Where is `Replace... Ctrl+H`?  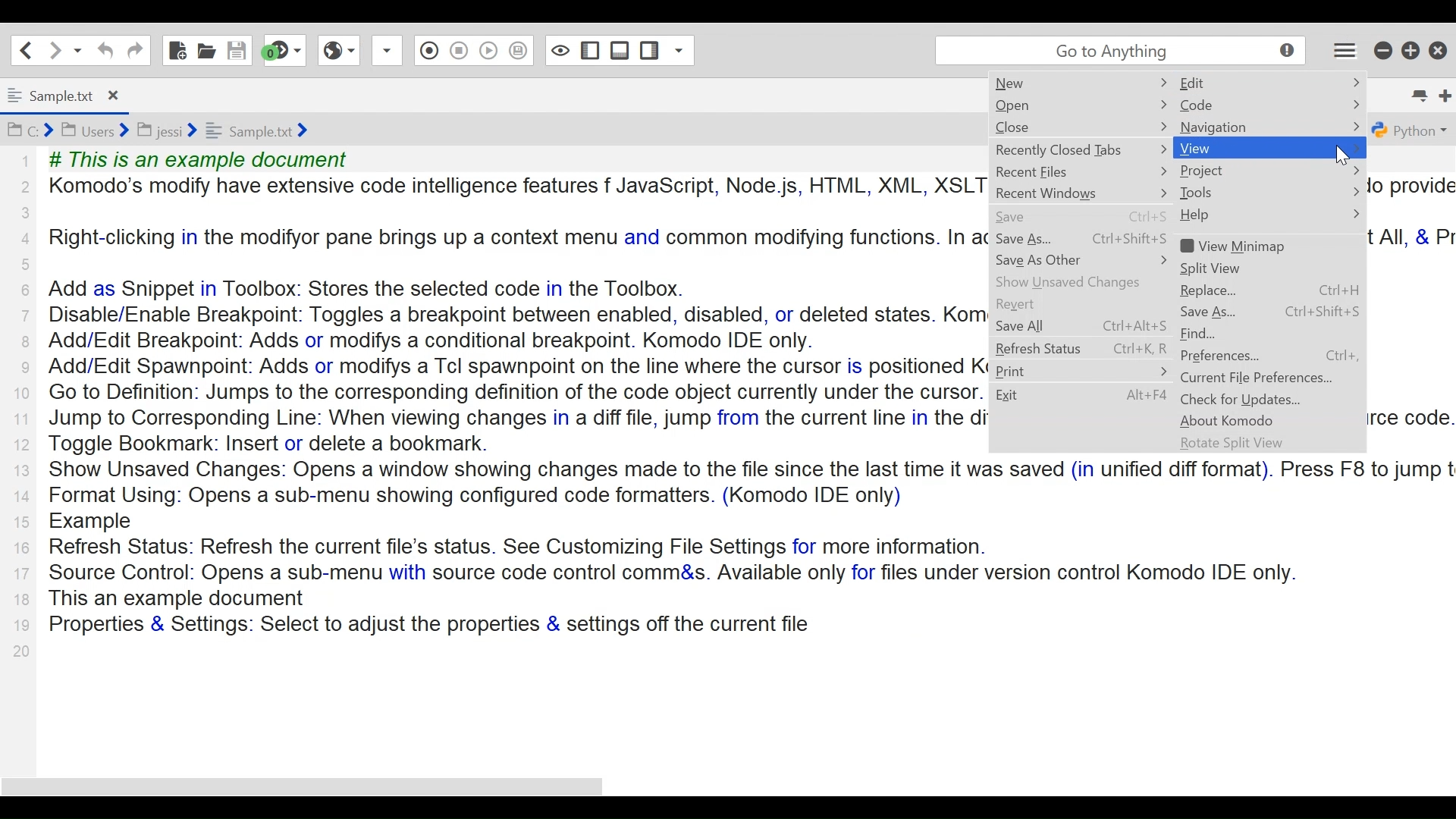
Replace... Ctrl+H is located at coordinates (1269, 290).